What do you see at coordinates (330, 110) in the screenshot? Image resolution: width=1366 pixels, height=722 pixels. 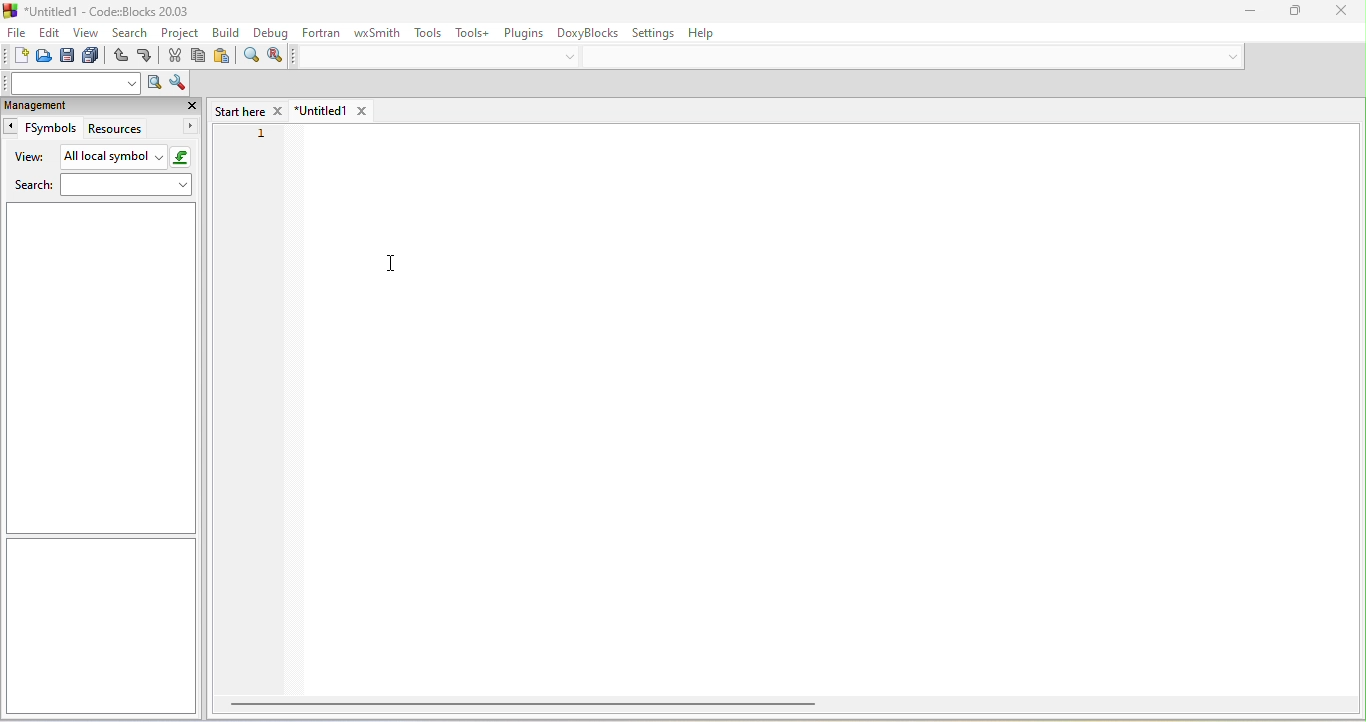 I see `untitled1` at bounding box center [330, 110].